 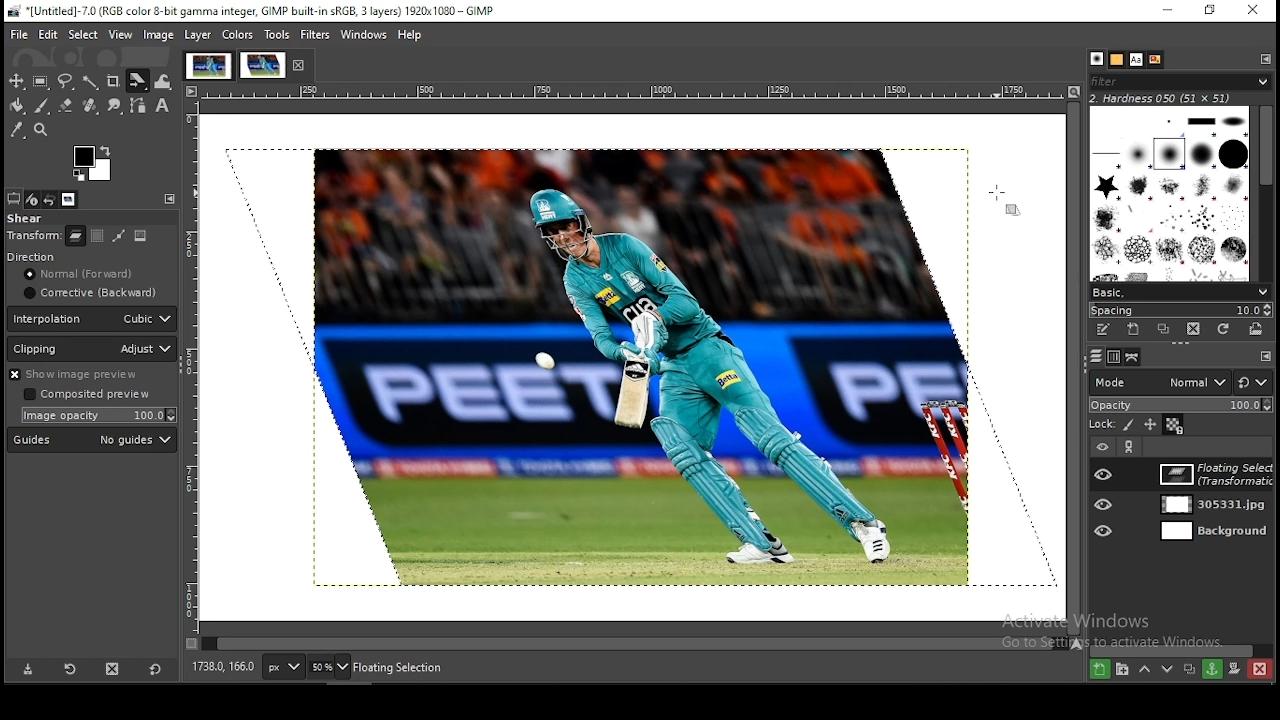 I want to click on zoom level, so click(x=330, y=667).